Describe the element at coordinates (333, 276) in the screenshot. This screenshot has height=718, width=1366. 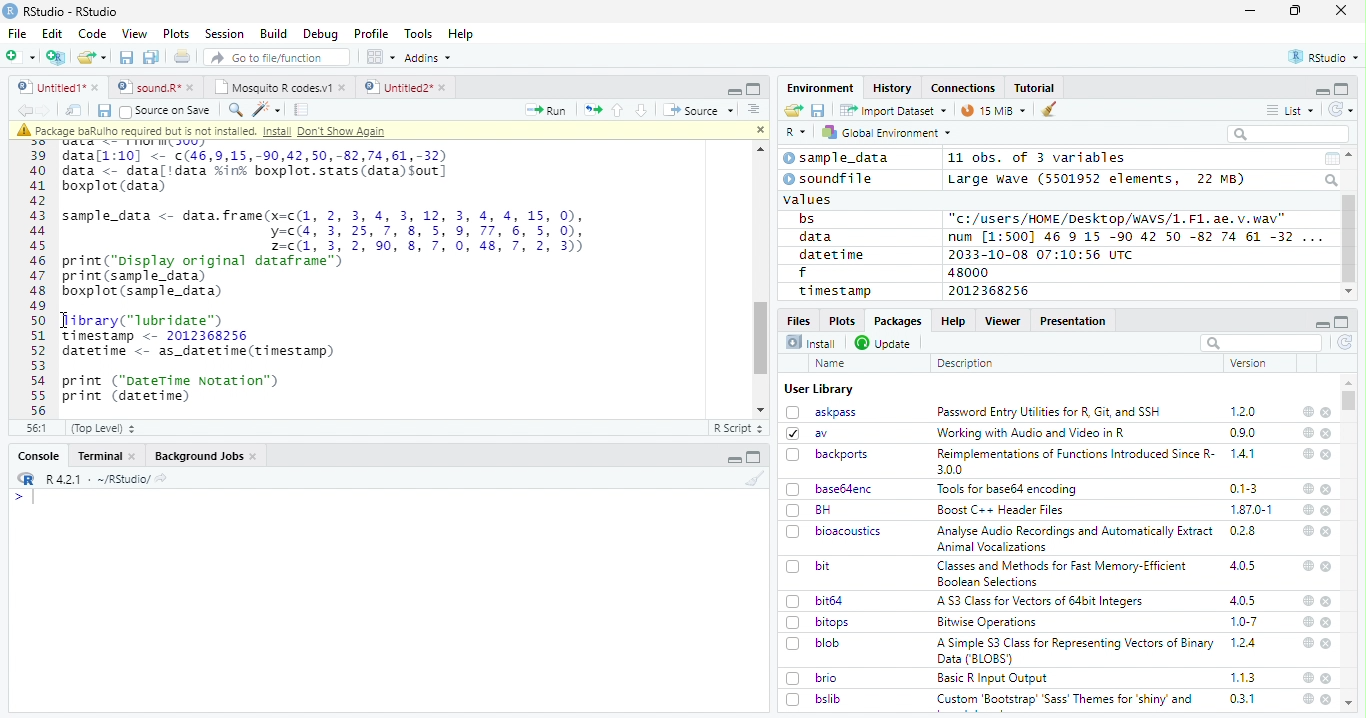
I see `data[1:10] <- c(46,9,15,-90,42,50,-82,74,61,-32)

data <_ data[!data ink boxplot.stats(data)sout]

boxplot (data)

sample_data <- data.frame(x=c(1, 2, 3, 4, 3, 12, 3, 4, 4, 15, 0),
y-c(4, 3, 25,7, 8,5, 9,77, 6,5, 0),
2=c(1, 3, 2, 90, 8, 7, 0, 48, 7, 2, 3))

print("pisplay original dataframe™)

print (sample_data)

boxplot (sample_data)

Jibrary("lubridate™)

Timestamp <- 2012368256

datetime <- as_datetime(tinestanp)

print ("DateTime Notation")

print (datetime)` at that location.